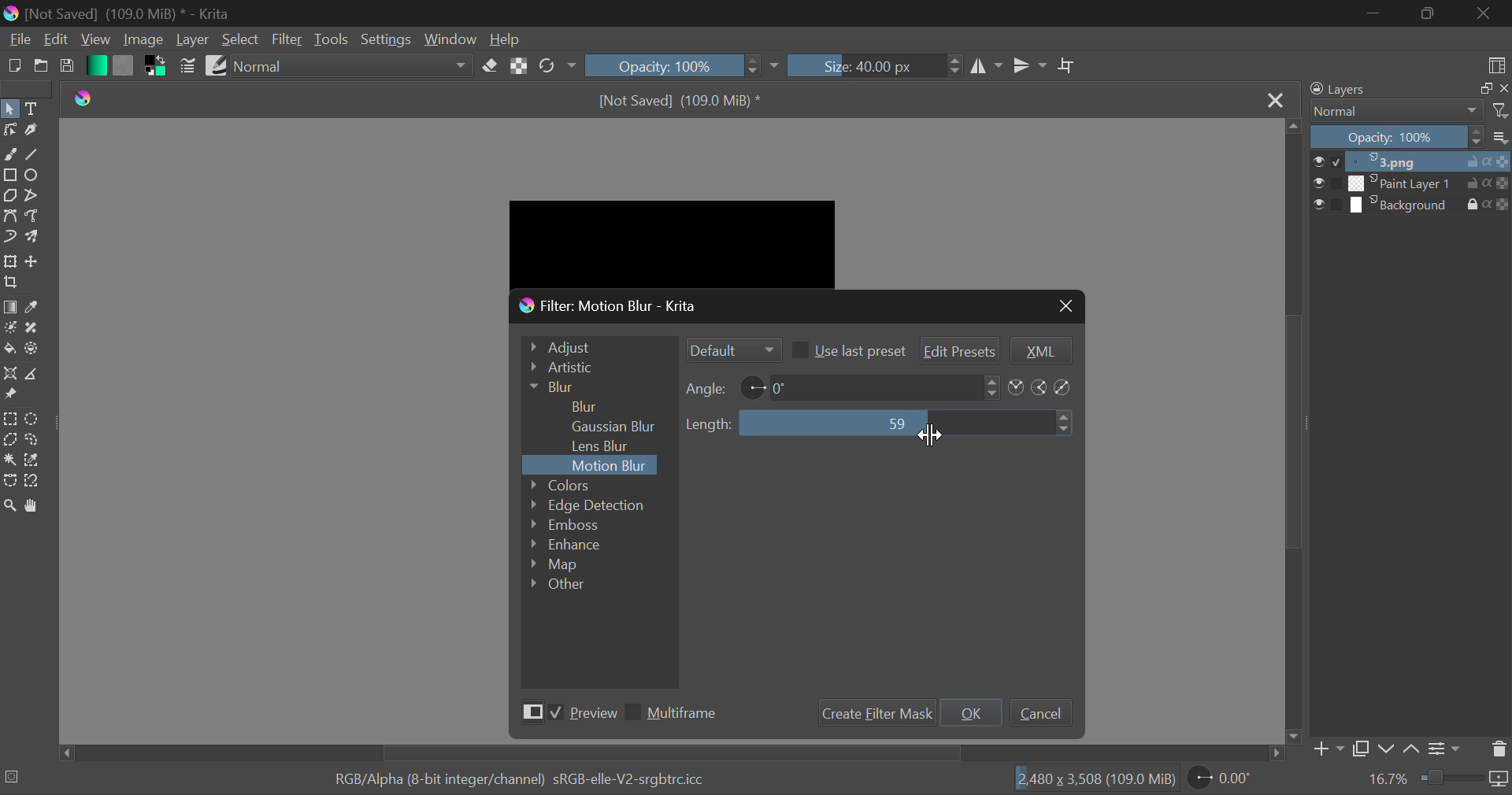 The image size is (1512, 795). I want to click on Scroll Bar, so click(672, 753).